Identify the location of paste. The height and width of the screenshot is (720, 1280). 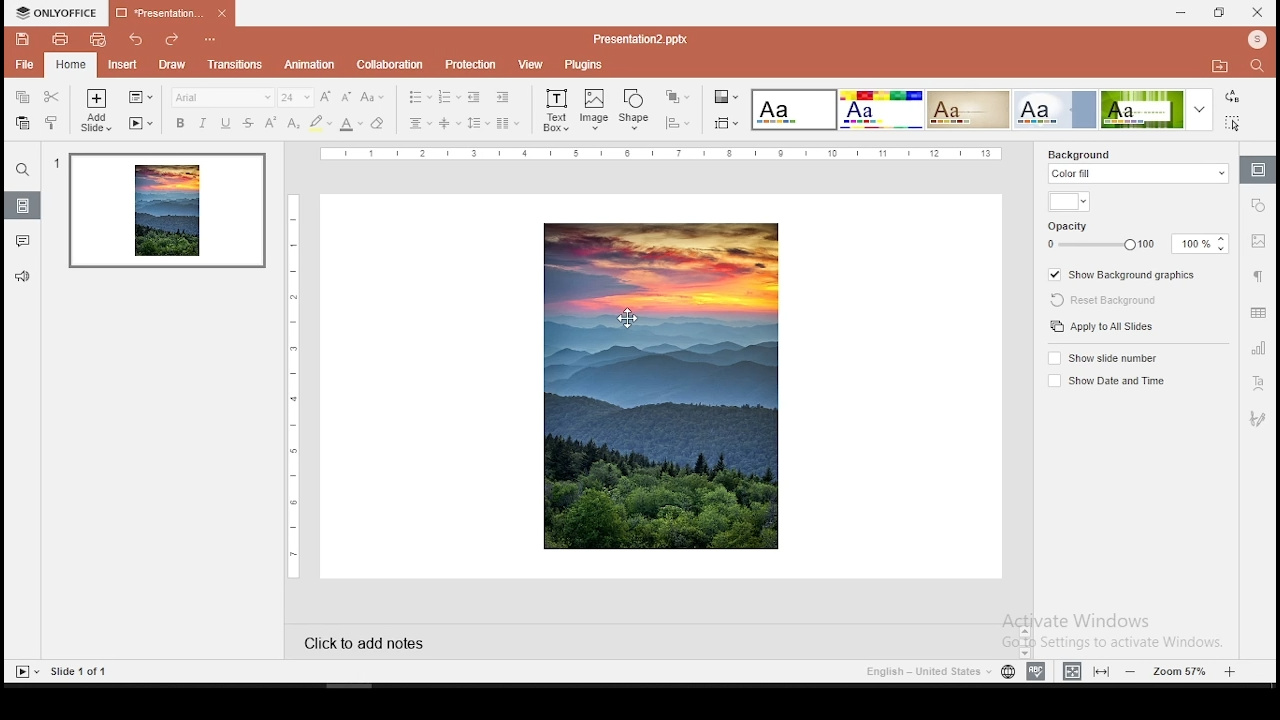
(23, 123).